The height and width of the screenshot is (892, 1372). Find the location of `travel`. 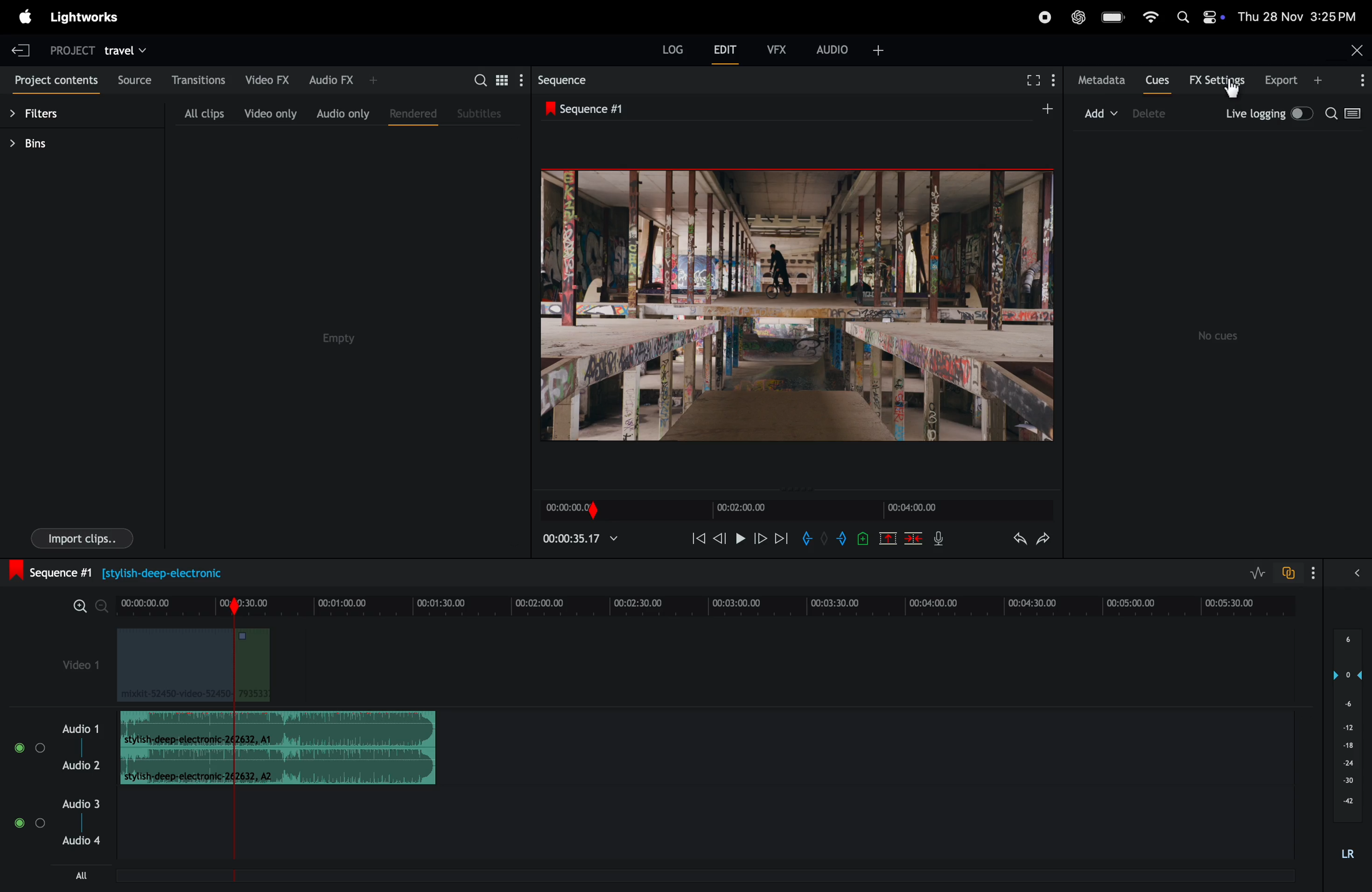

travel is located at coordinates (129, 48).